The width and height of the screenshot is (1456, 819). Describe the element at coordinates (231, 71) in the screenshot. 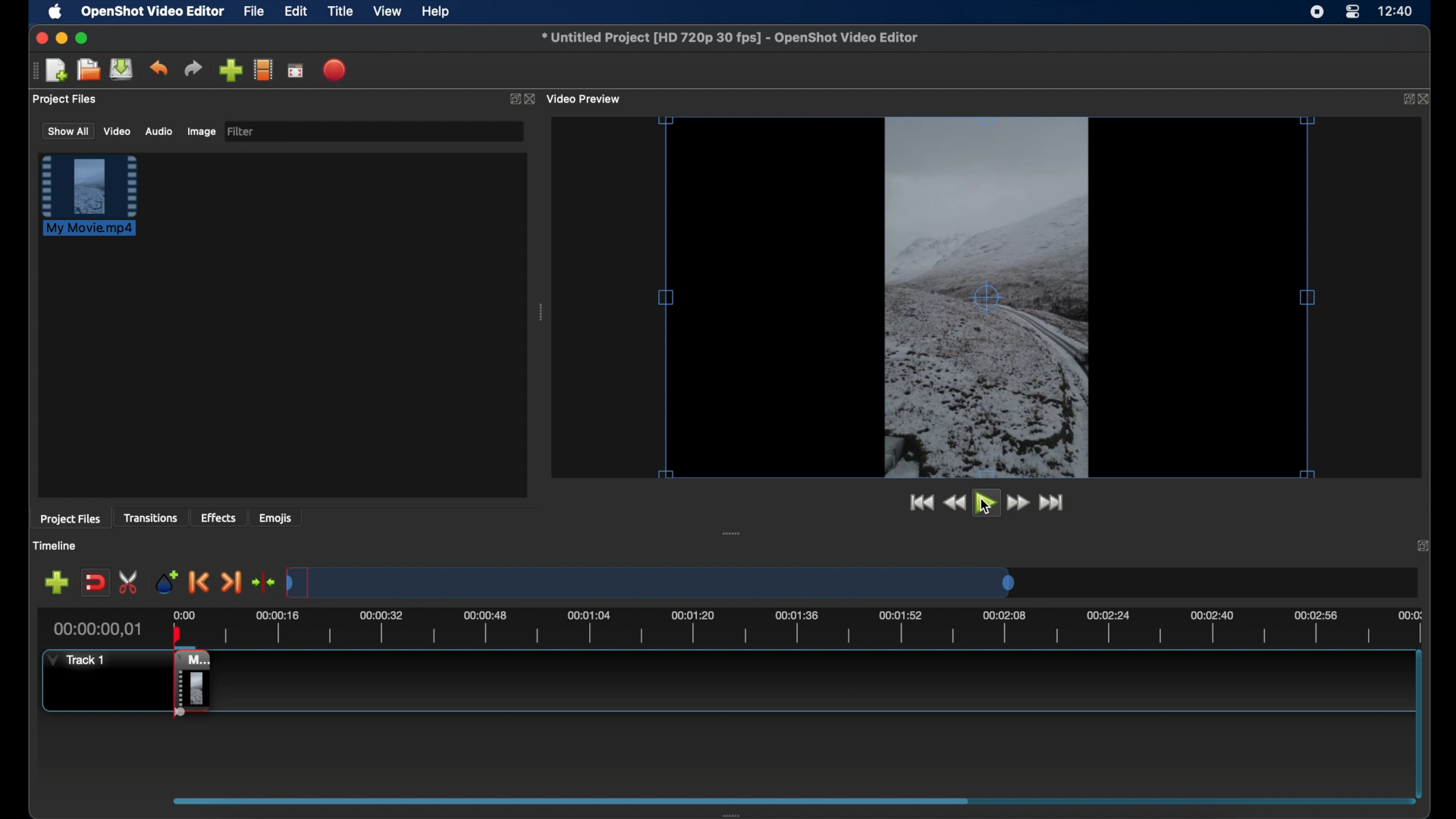

I see `import files` at that location.